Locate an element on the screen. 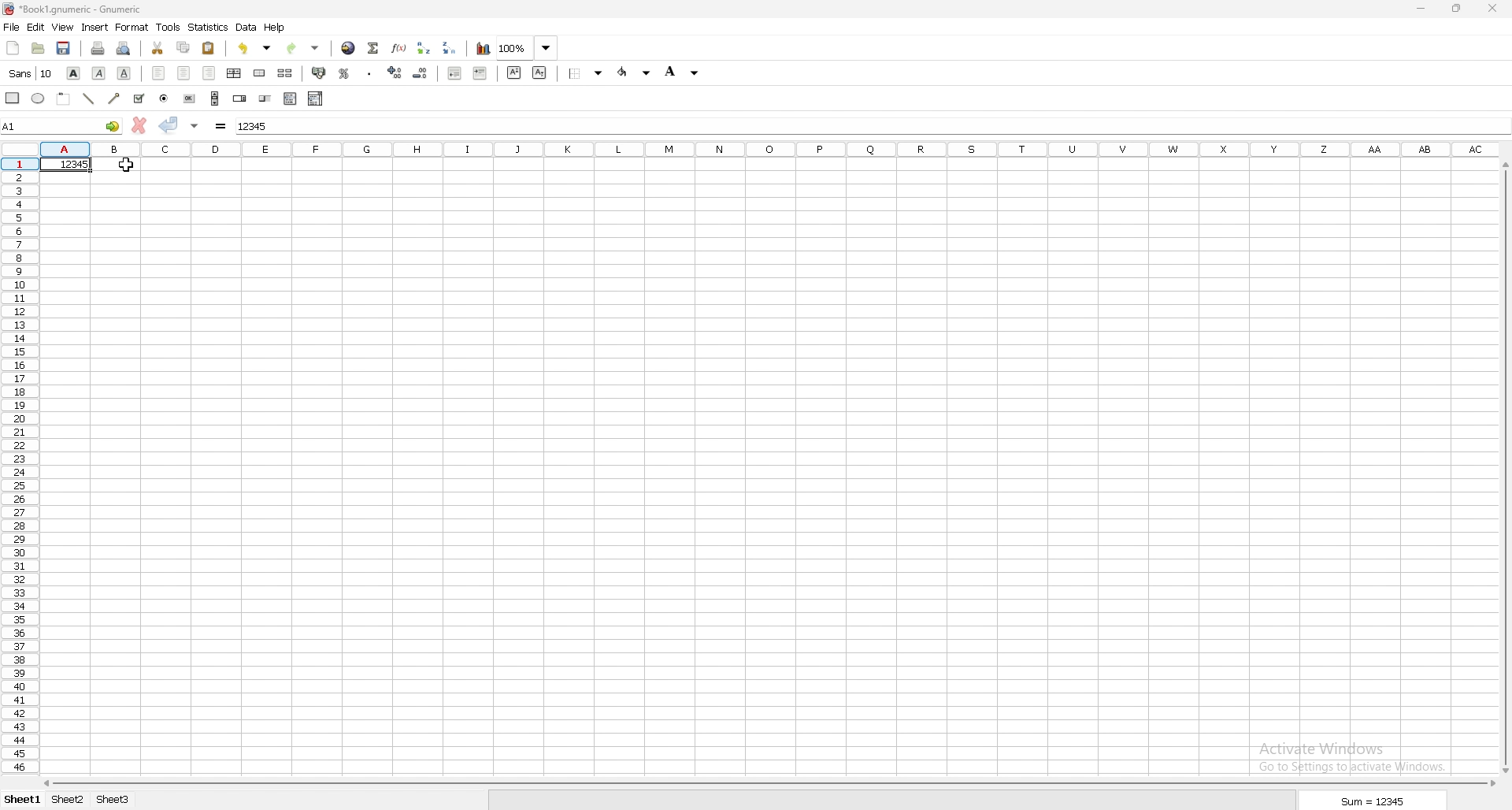 This screenshot has height=810, width=1512. sort ascending is located at coordinates (424, 48).